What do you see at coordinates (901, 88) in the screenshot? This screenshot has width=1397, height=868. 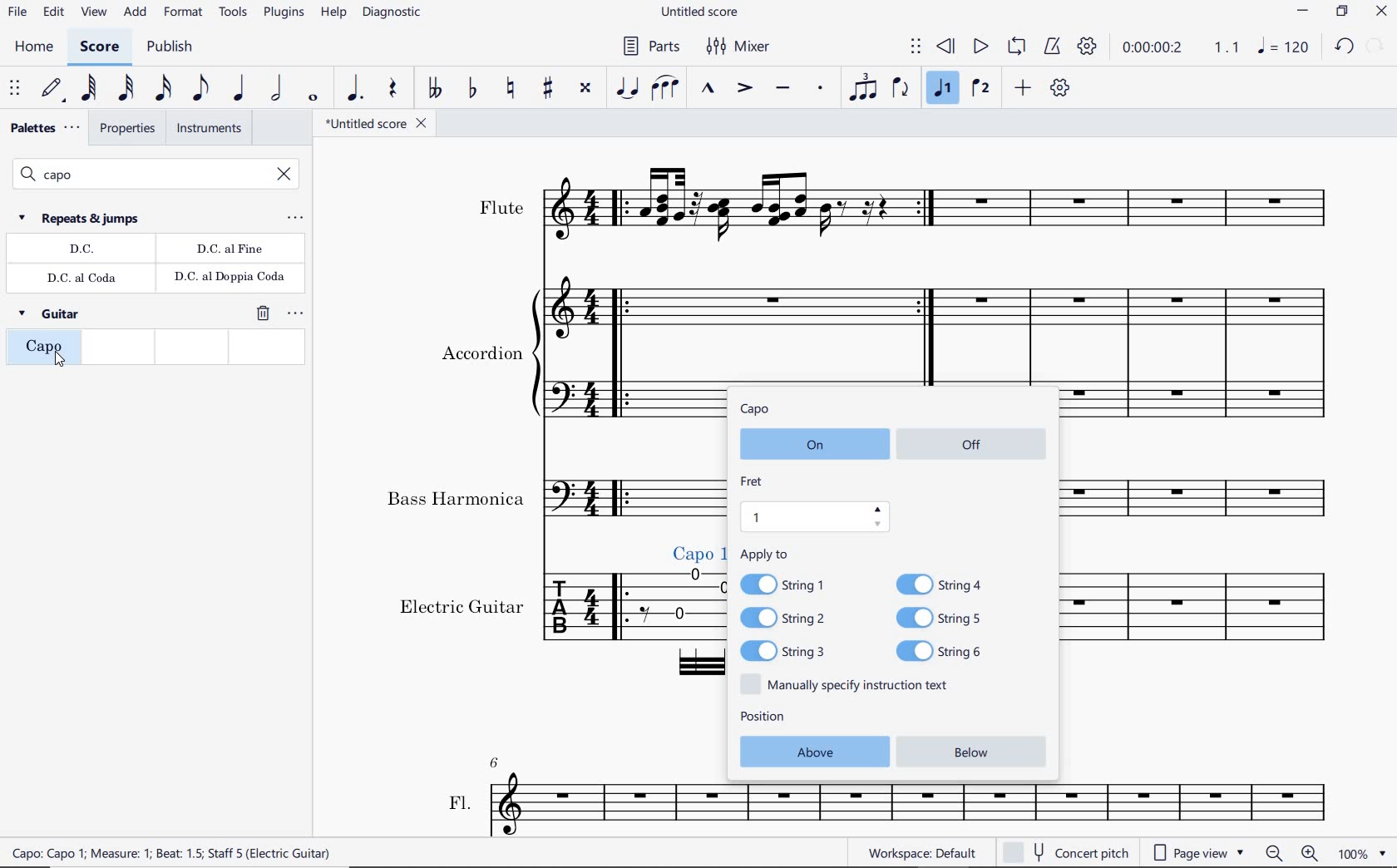 I see `flip direction` at bounding box center [901, 88].